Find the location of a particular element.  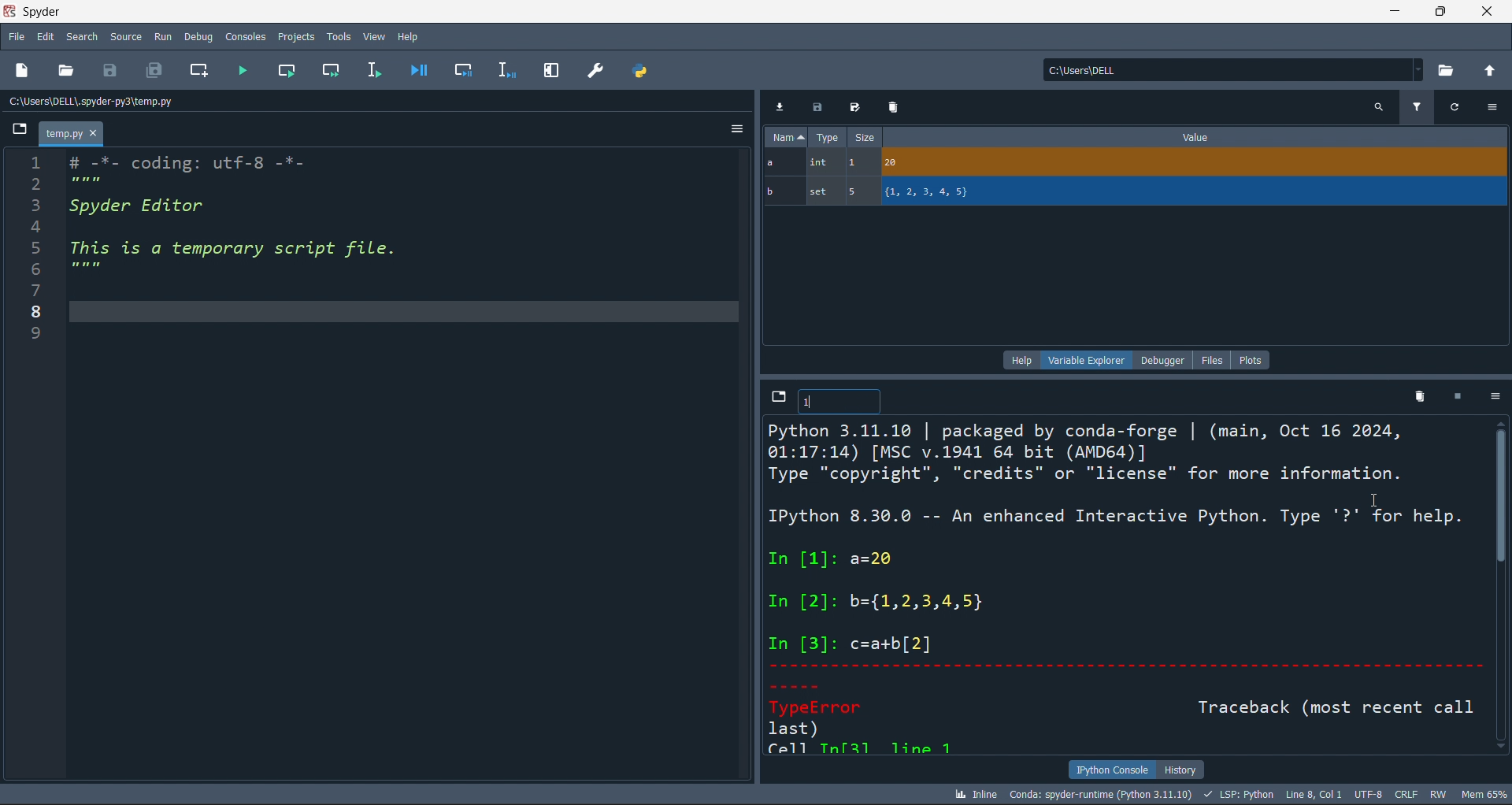

TOOLS is located at coordinates (338, 35).